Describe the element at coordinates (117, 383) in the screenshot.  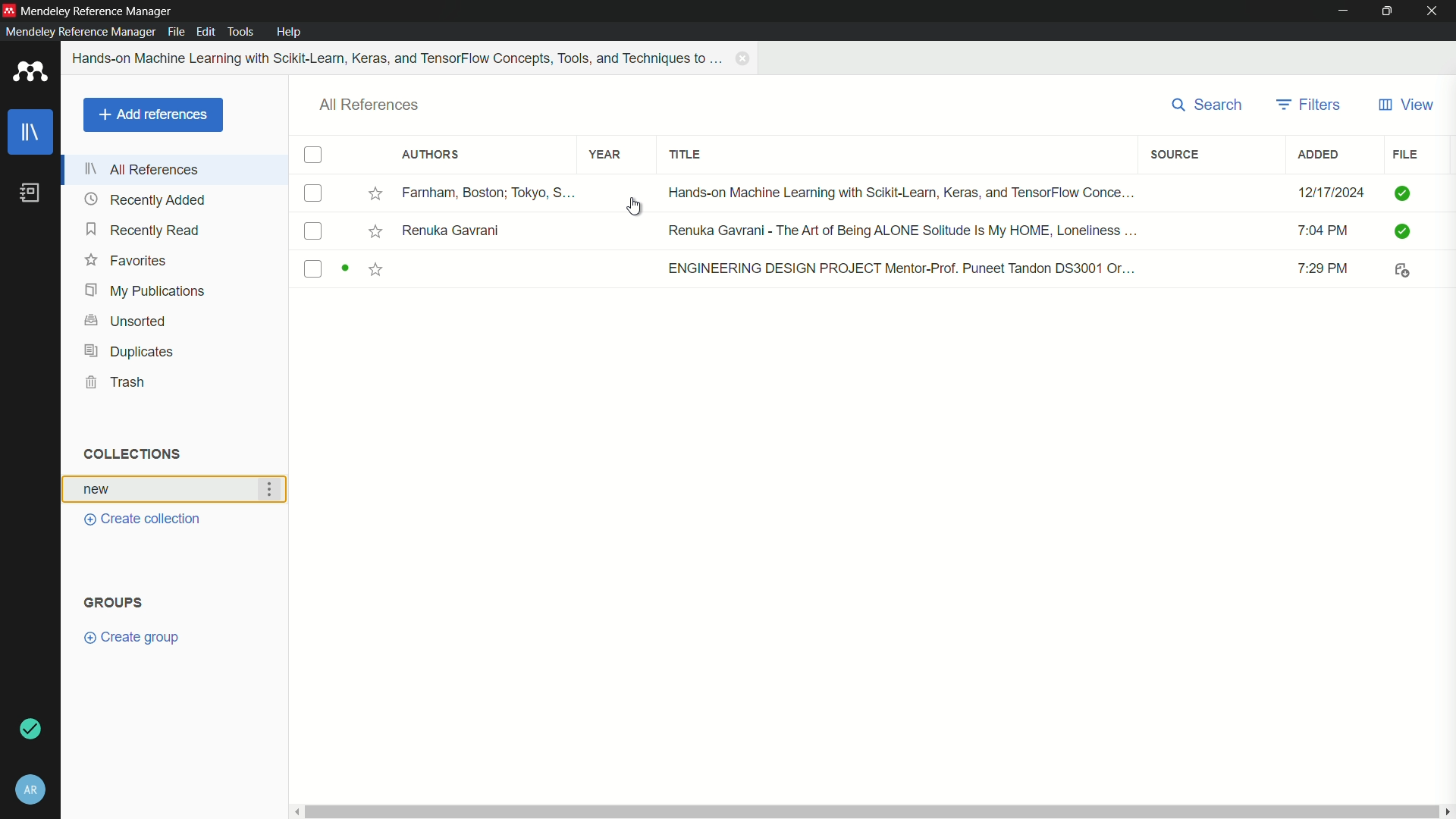
I see `trash` at that location.